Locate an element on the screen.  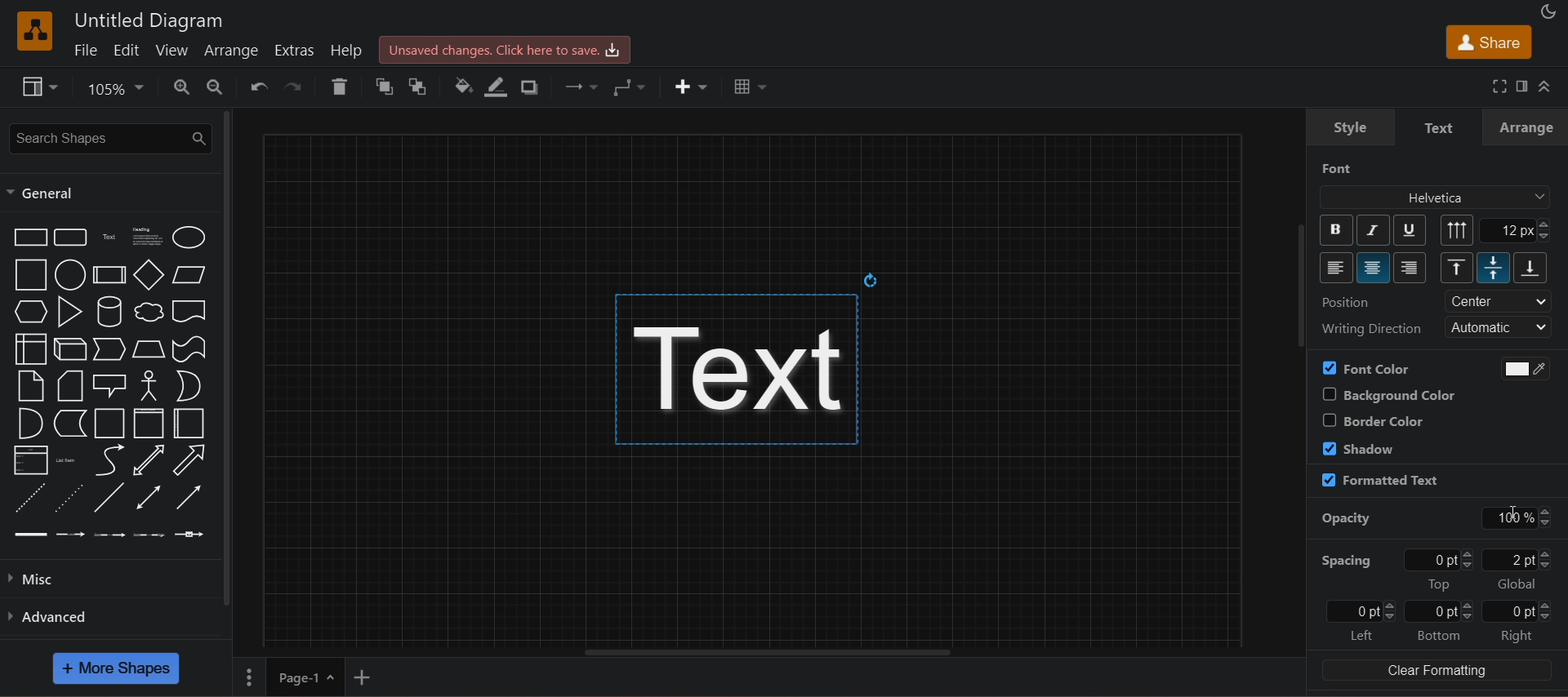
note is located at coordinates (31, 386).